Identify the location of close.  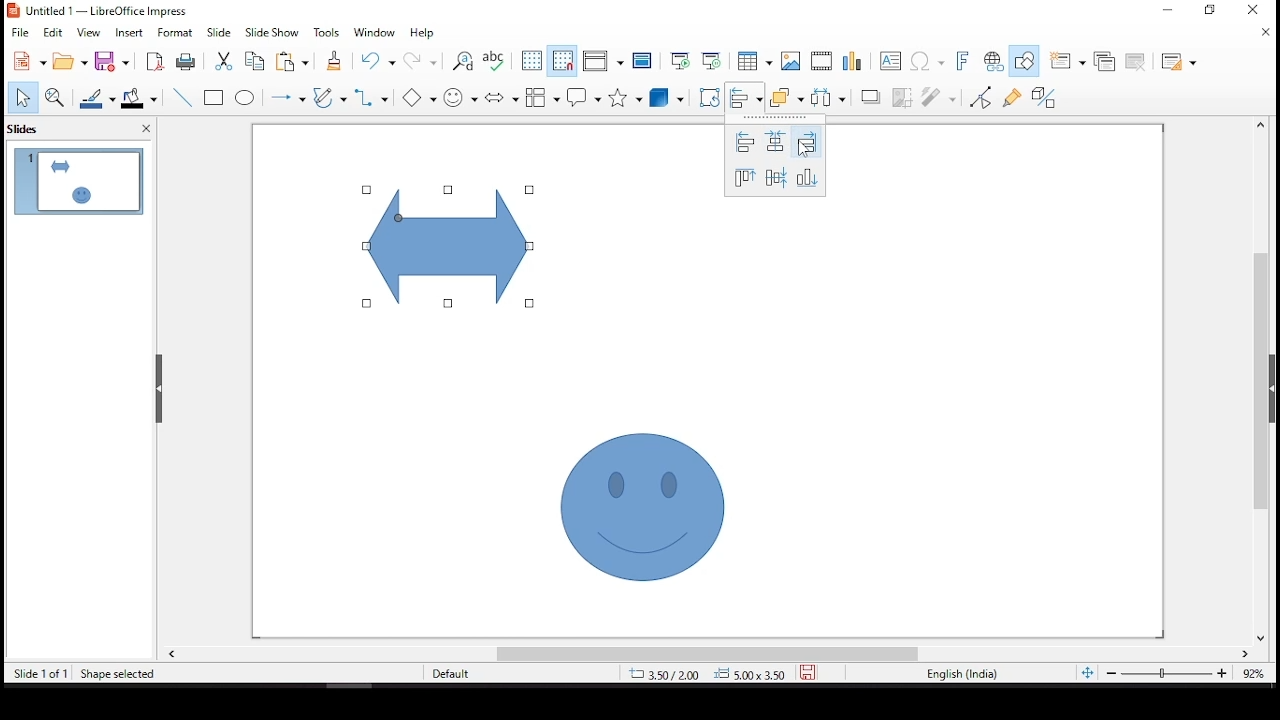
(1265, 35).